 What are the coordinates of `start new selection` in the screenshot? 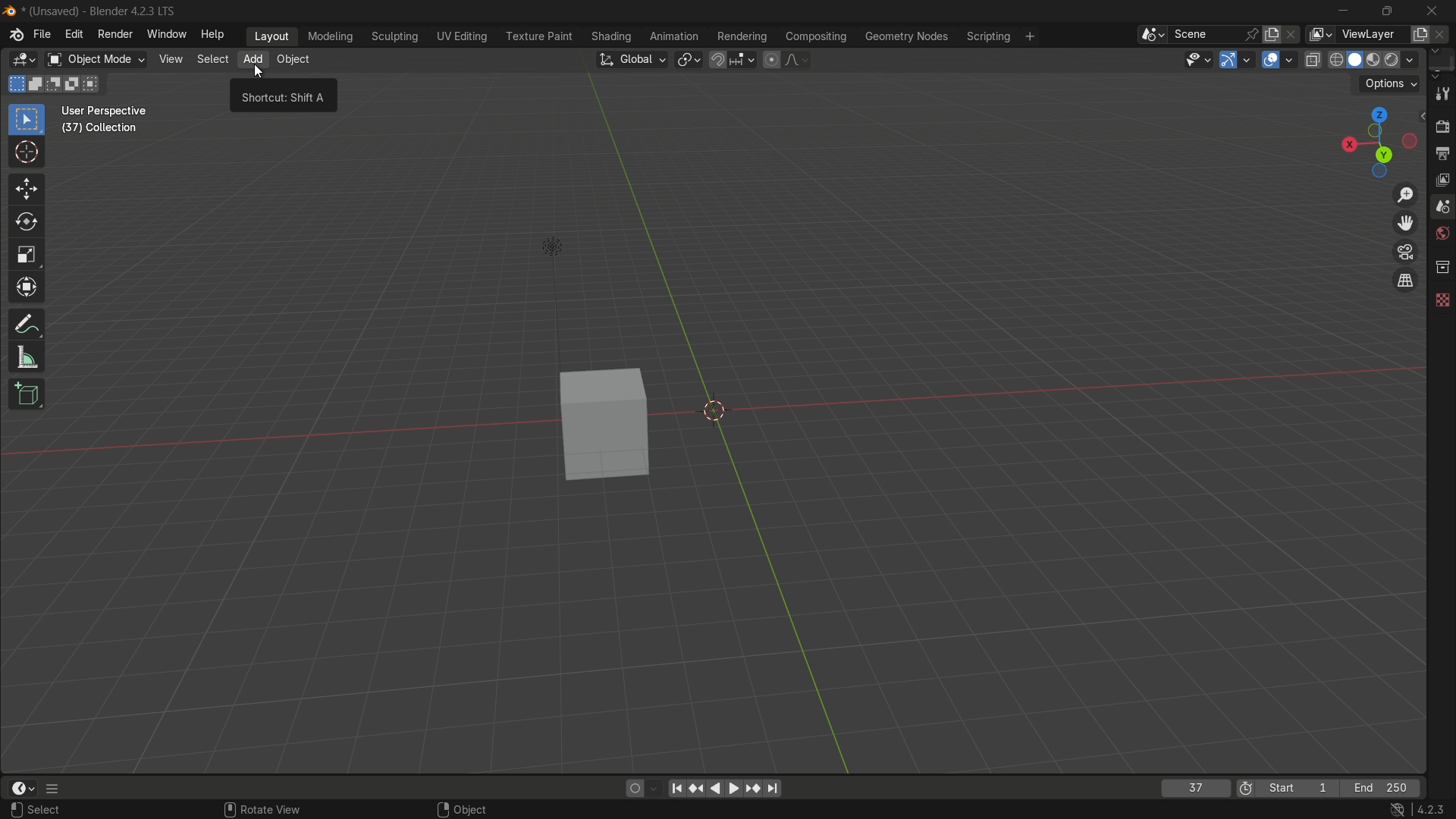 It's located at (16, 83).